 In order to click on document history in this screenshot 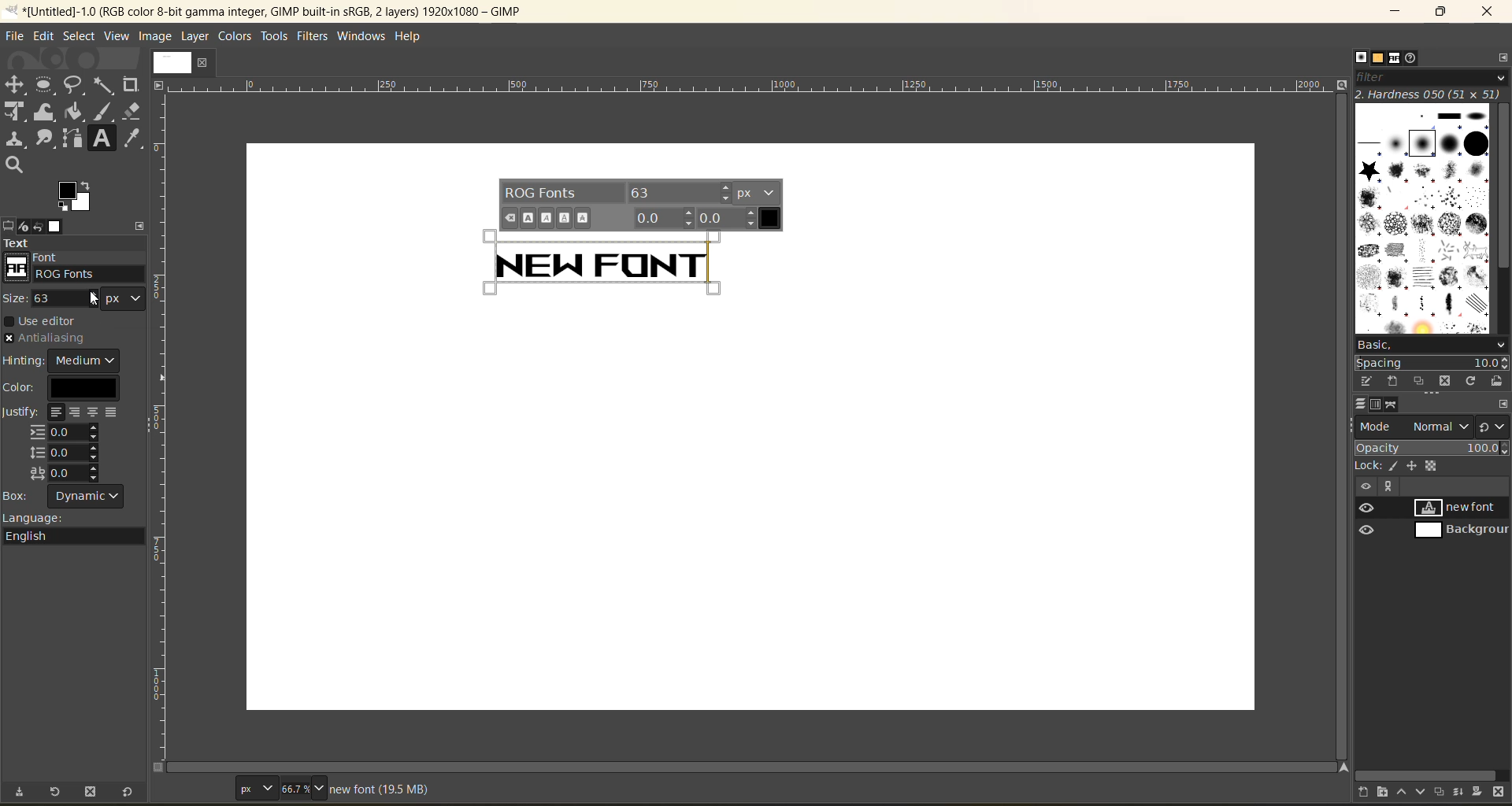, I will do `click(1412, 57)`.